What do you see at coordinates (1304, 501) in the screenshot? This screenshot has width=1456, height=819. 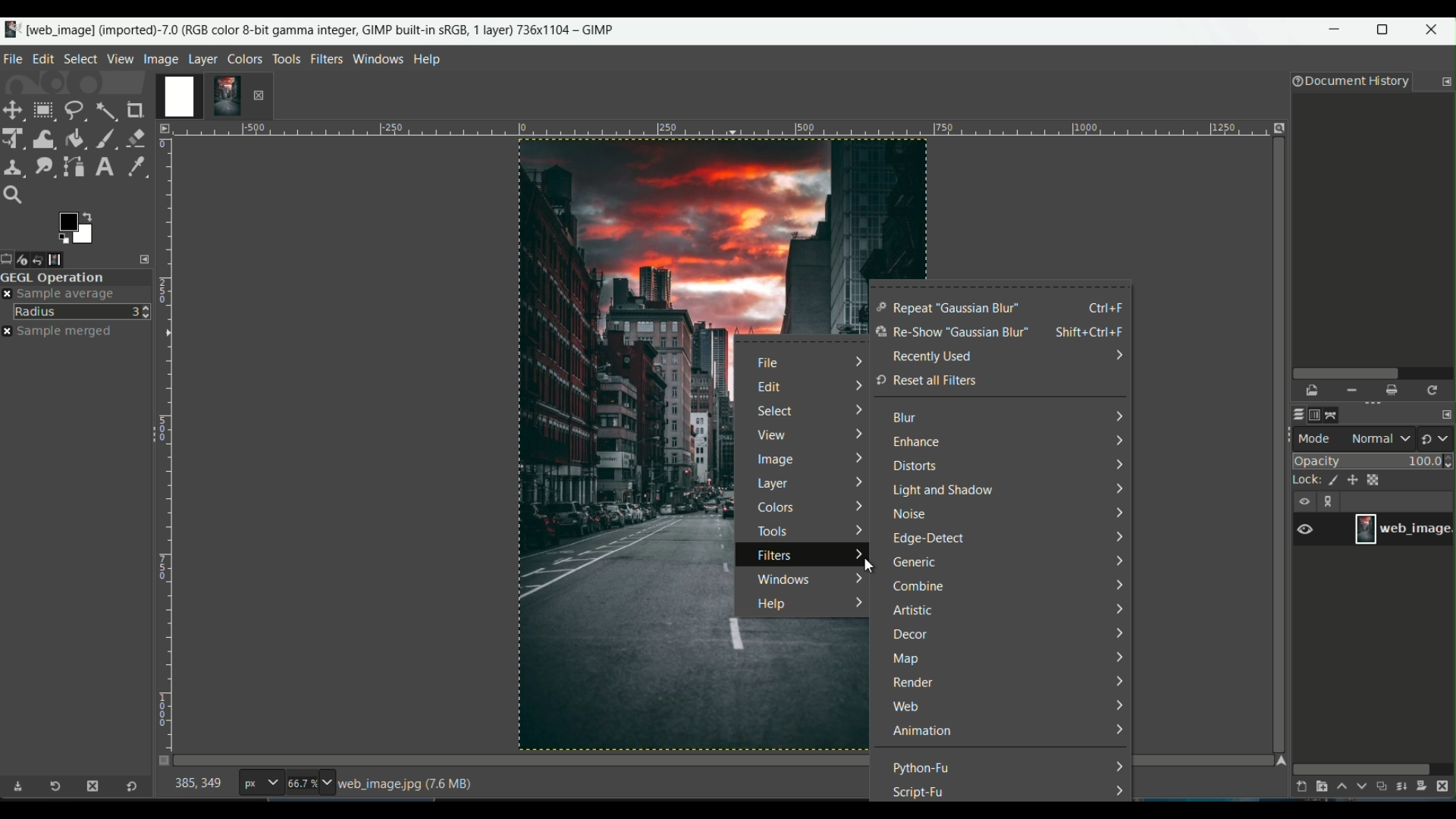 I see `(un)hide` at bounding box center [1304, 501].